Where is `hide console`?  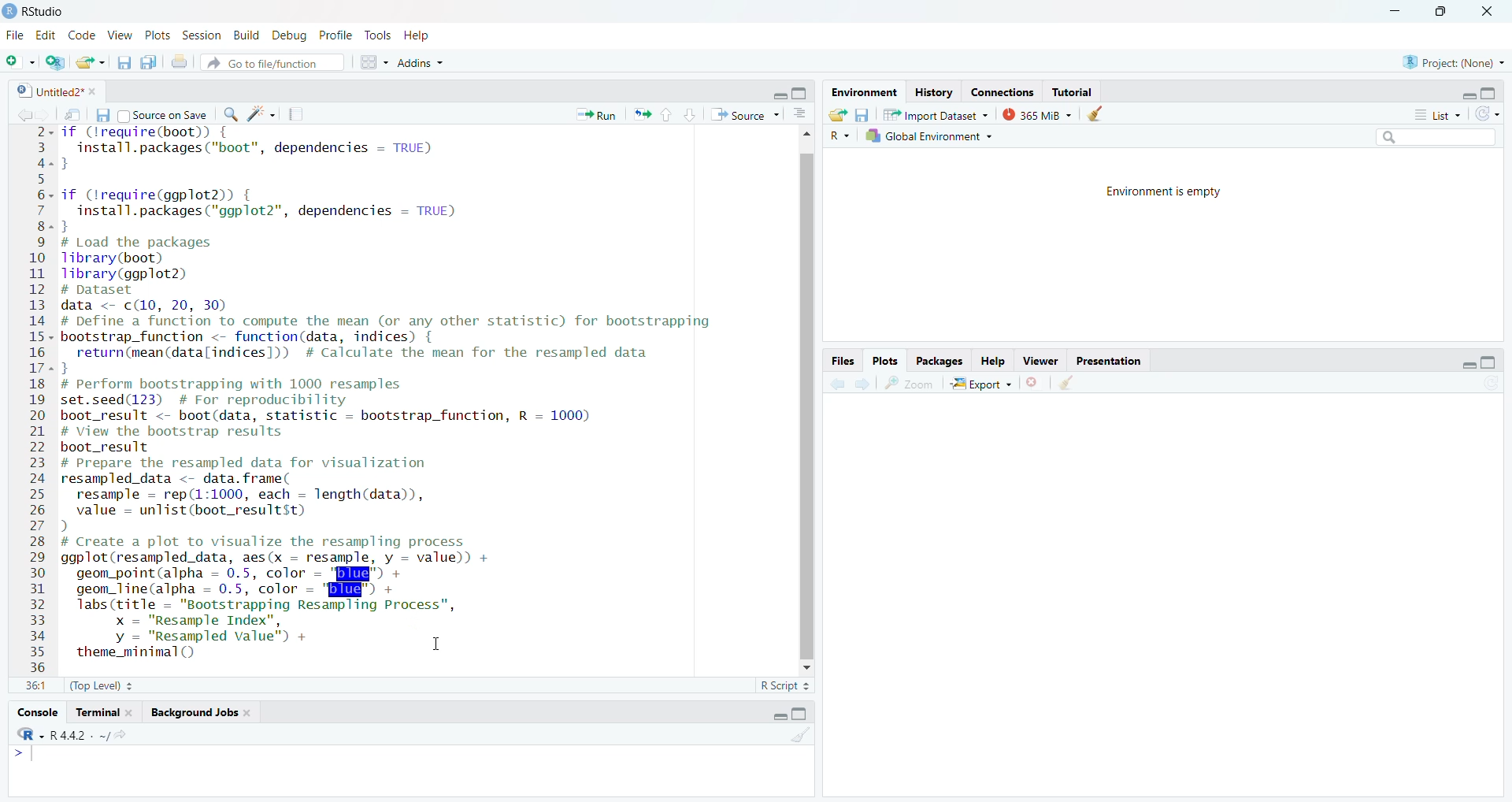 hide console is located at coordinates (801, 94).